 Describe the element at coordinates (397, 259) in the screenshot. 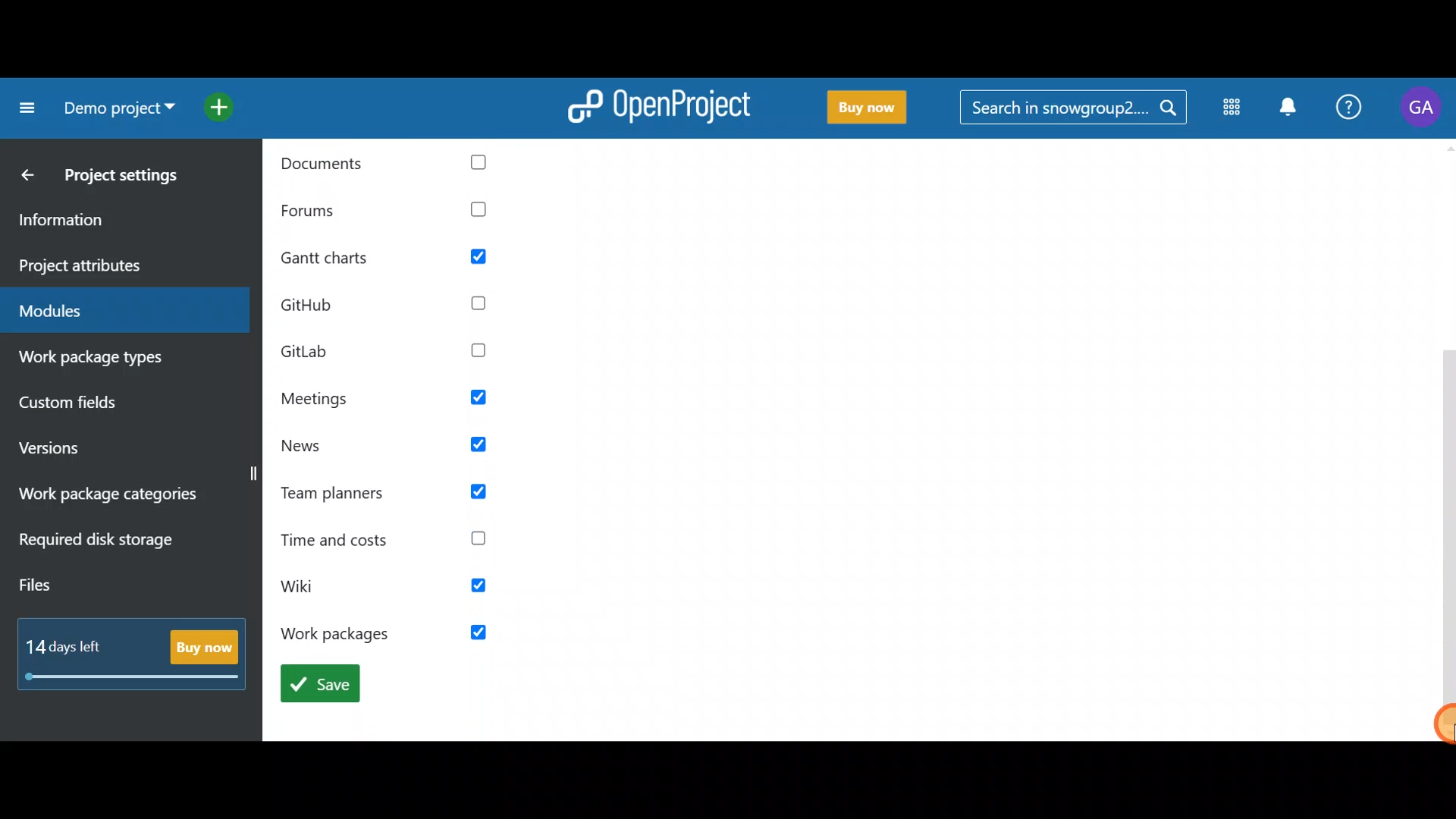

I see `gantt charts` at that location.